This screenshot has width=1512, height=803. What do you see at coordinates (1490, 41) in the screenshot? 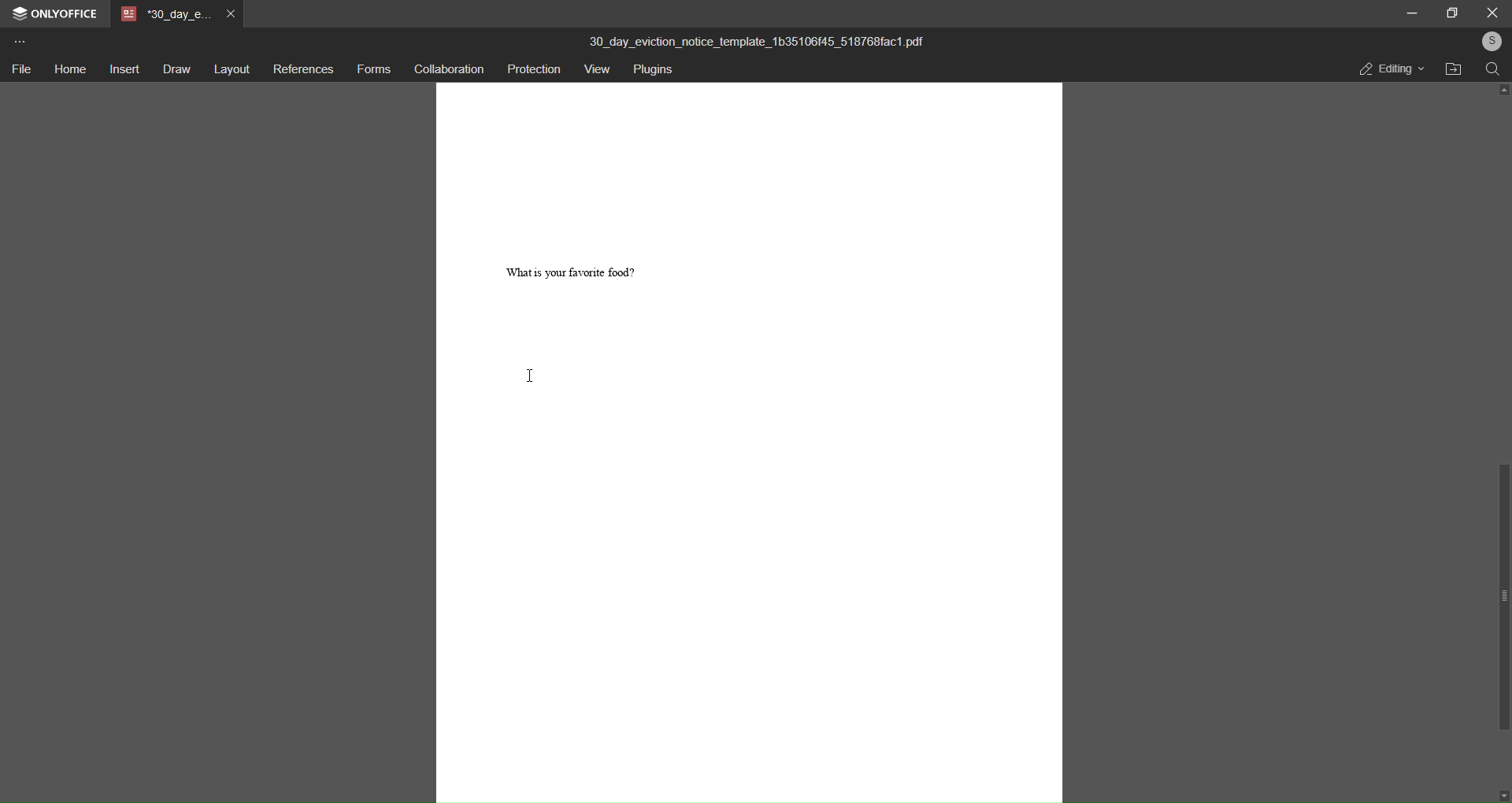
I see `user` at bounding box center [1490, 41].